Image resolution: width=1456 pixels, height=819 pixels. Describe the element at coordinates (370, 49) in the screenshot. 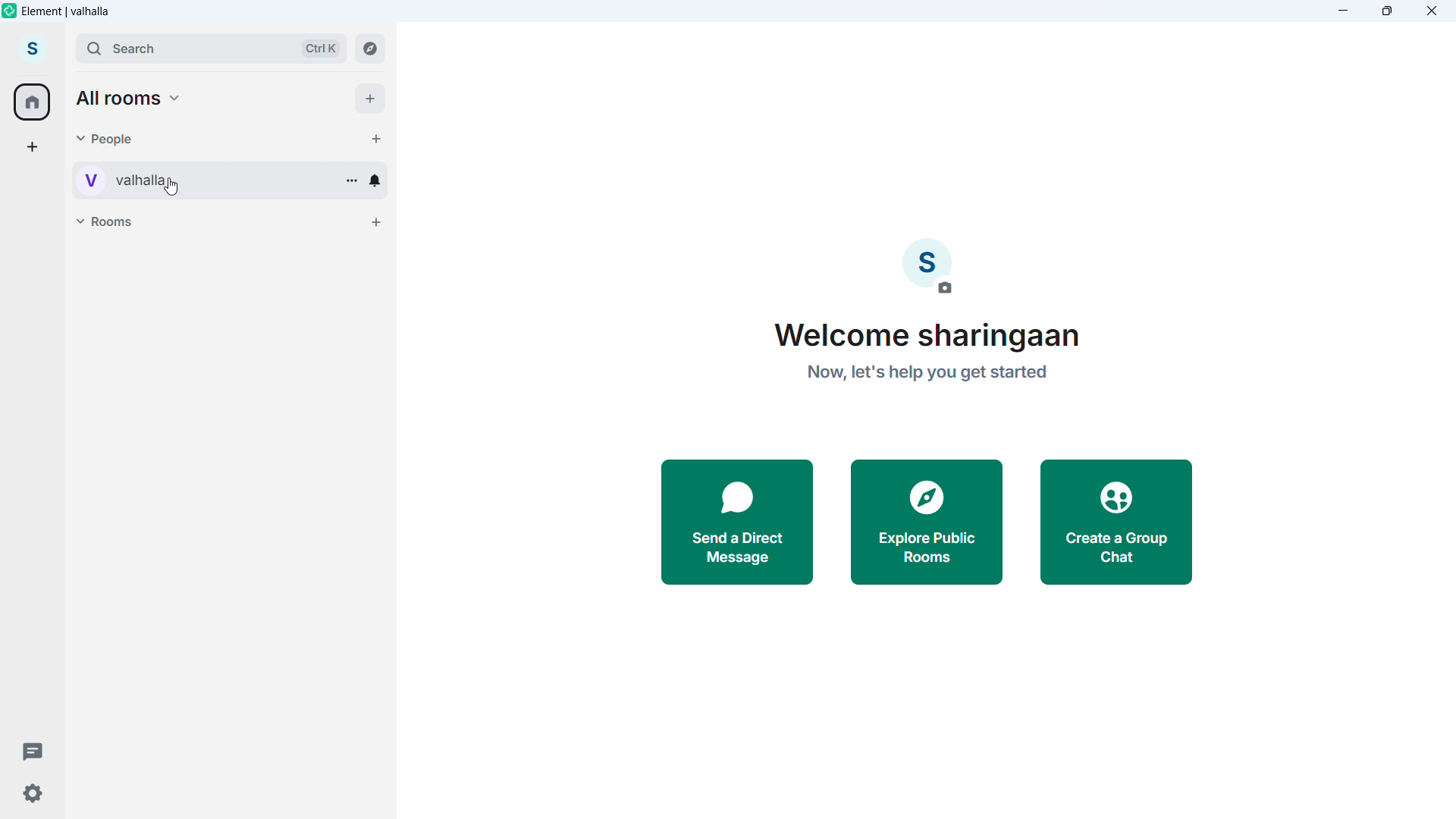

I see `Explore rooms ` at that location.